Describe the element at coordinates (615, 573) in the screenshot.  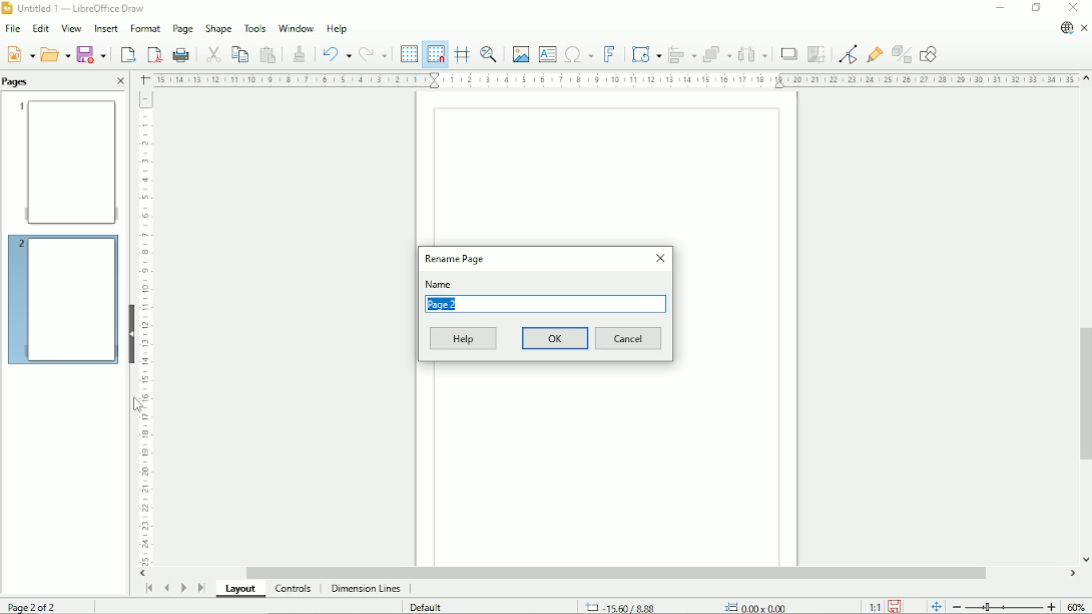
I see `Horizontal scrollbar` at that location.